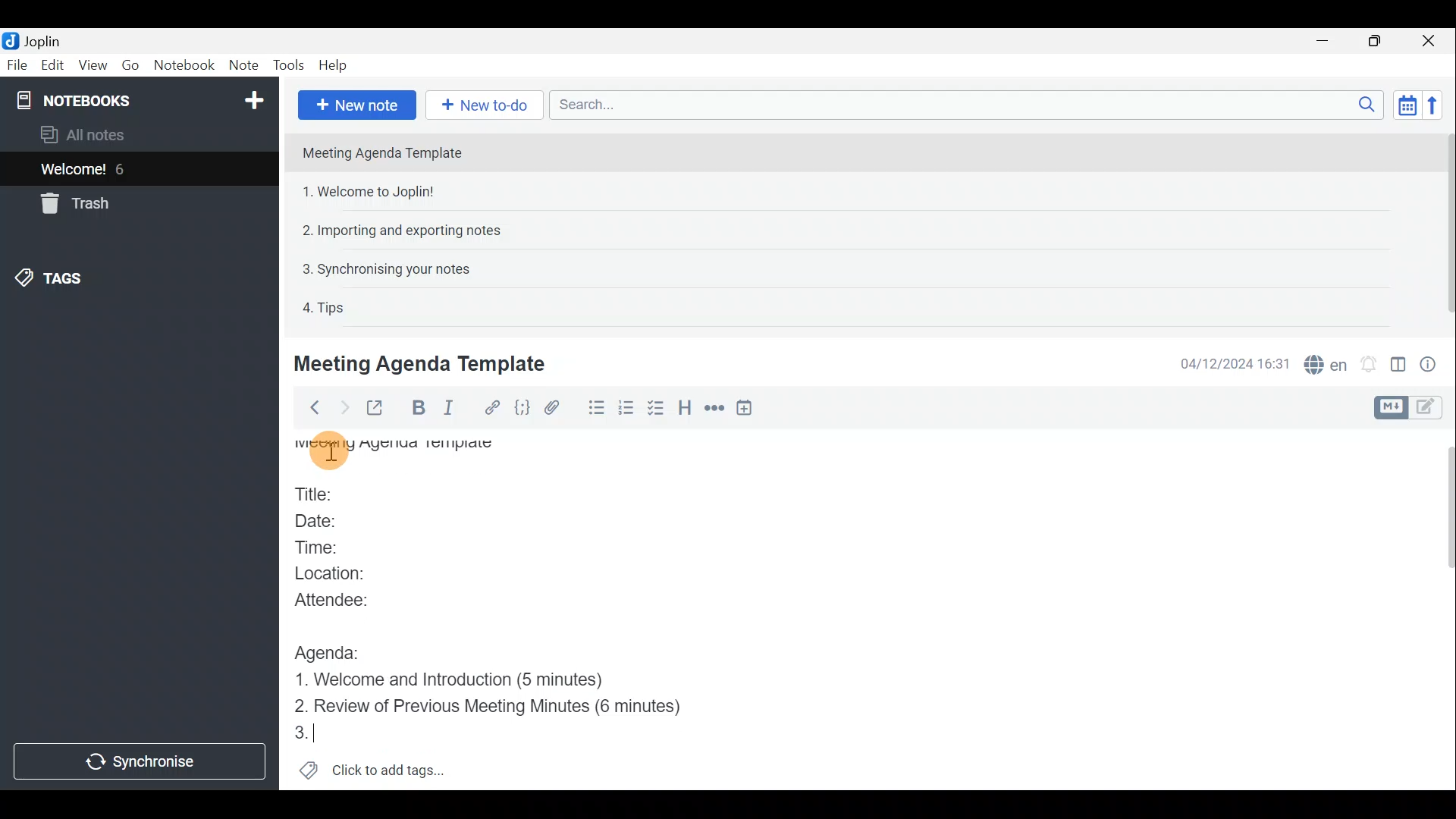  I want to click on Edit, so click(53, 67).